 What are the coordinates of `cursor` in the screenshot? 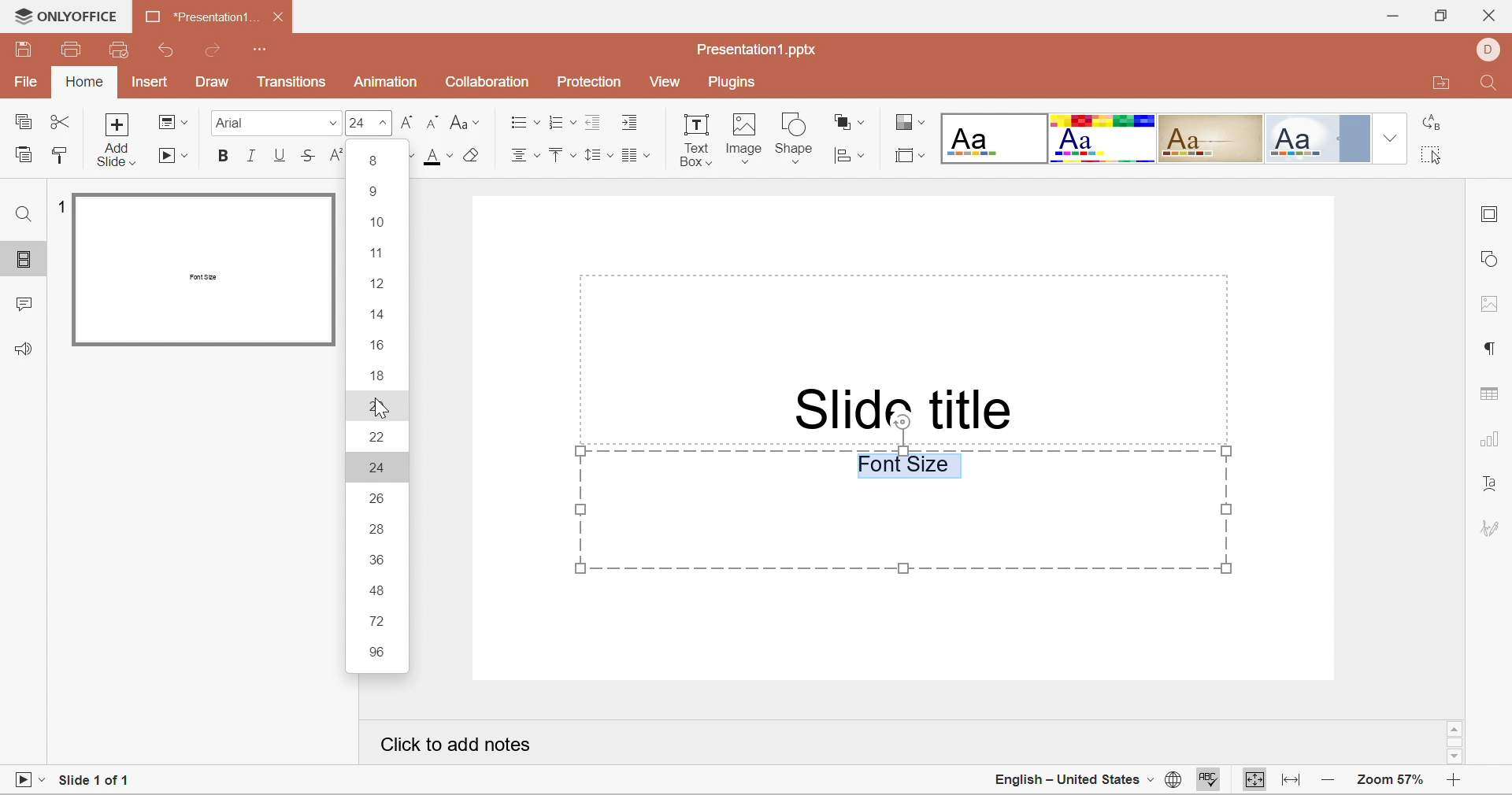 It's located at (379, 408).